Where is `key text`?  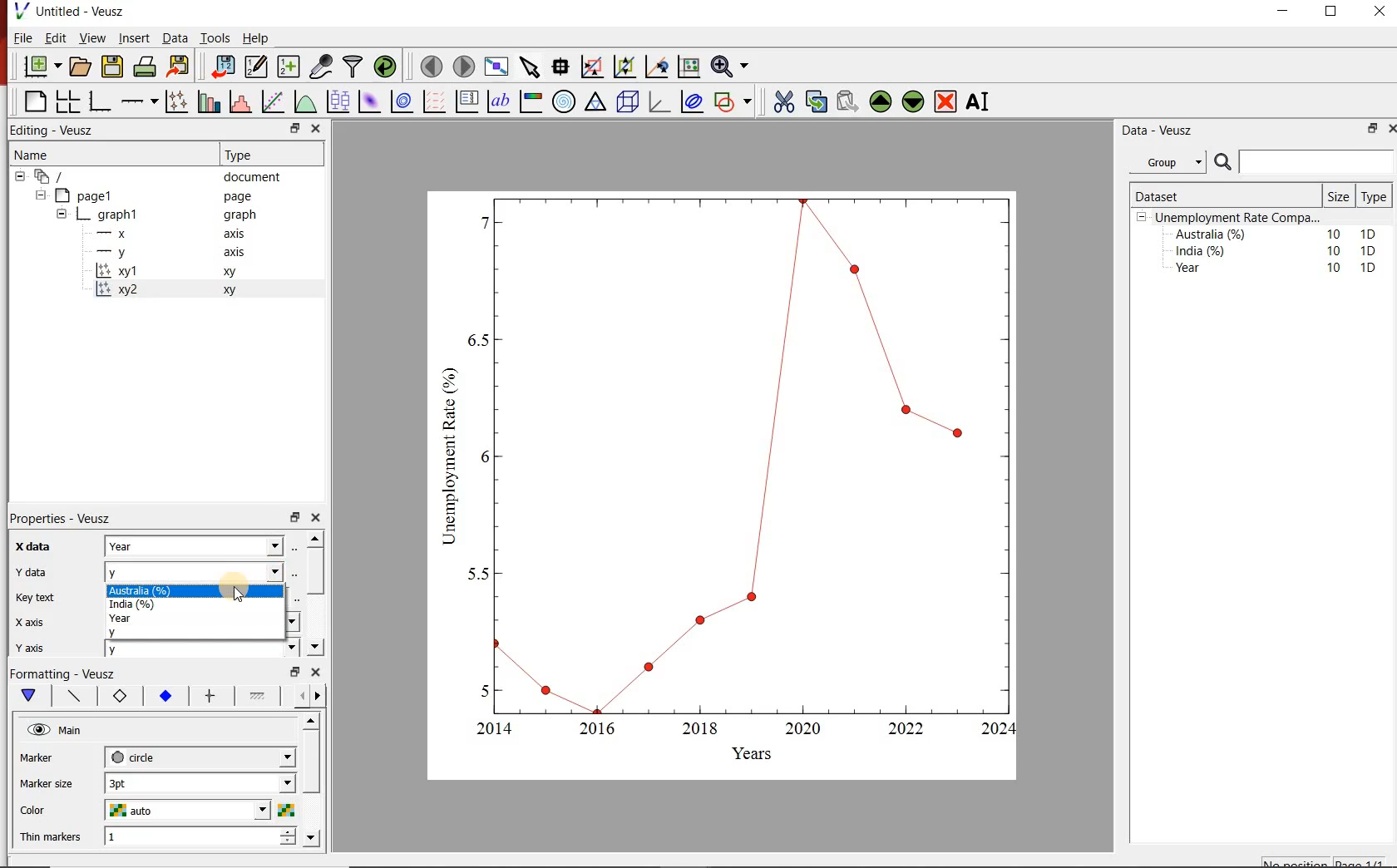
key text is located at coordinates (34, 598).